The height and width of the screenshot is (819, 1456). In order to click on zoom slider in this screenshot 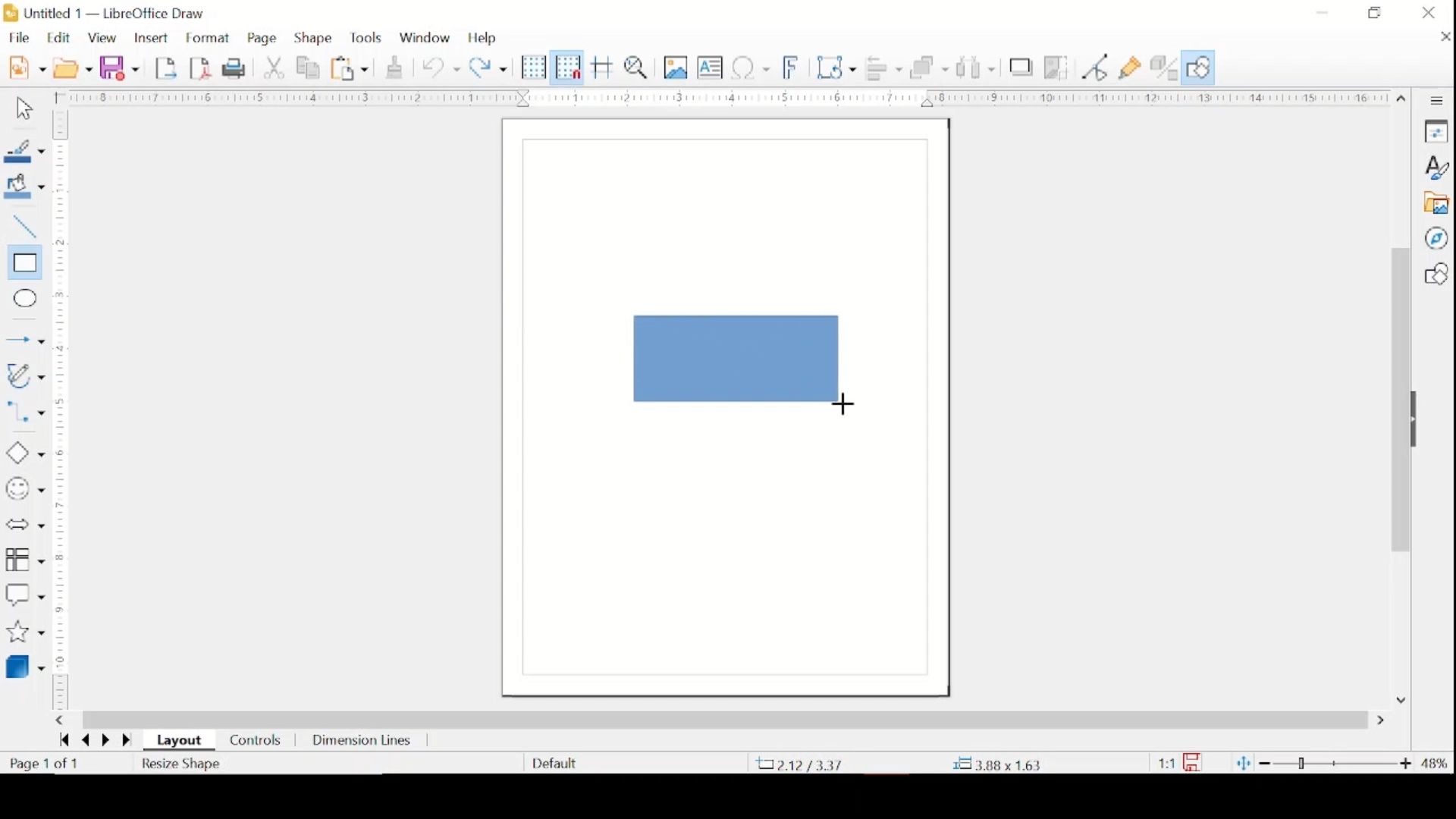, I will do `click(1337, 763)`.